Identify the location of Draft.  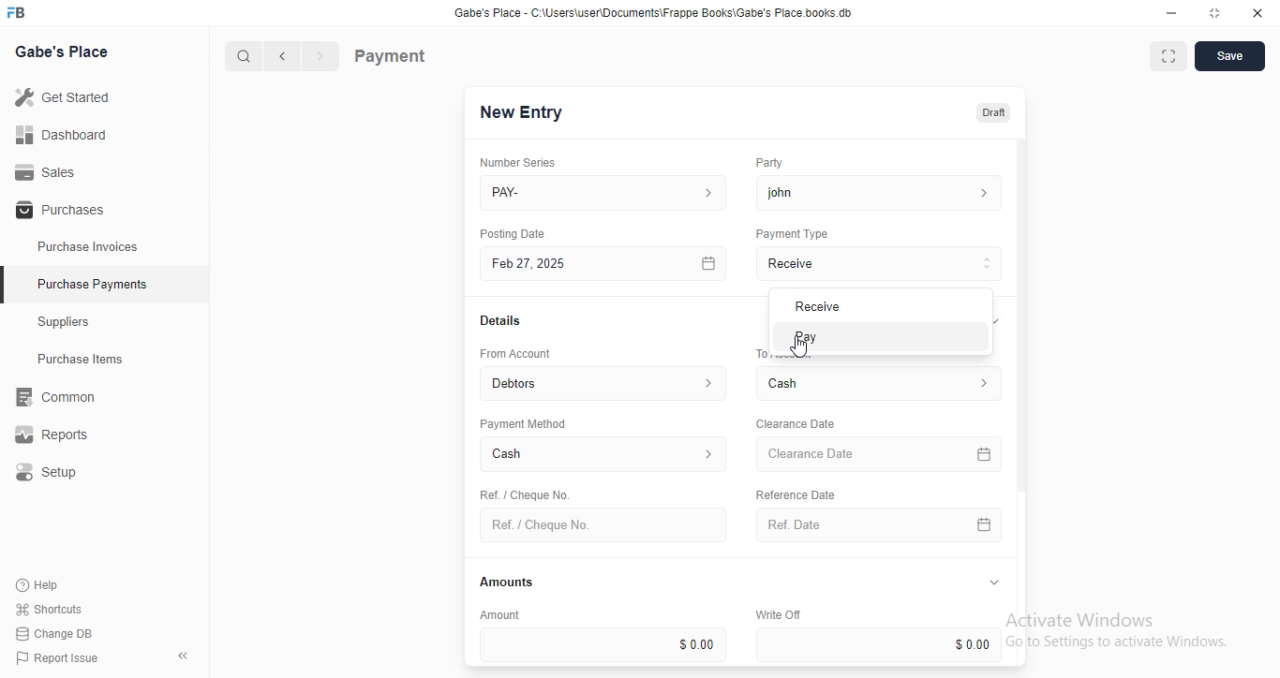
(990, 111).